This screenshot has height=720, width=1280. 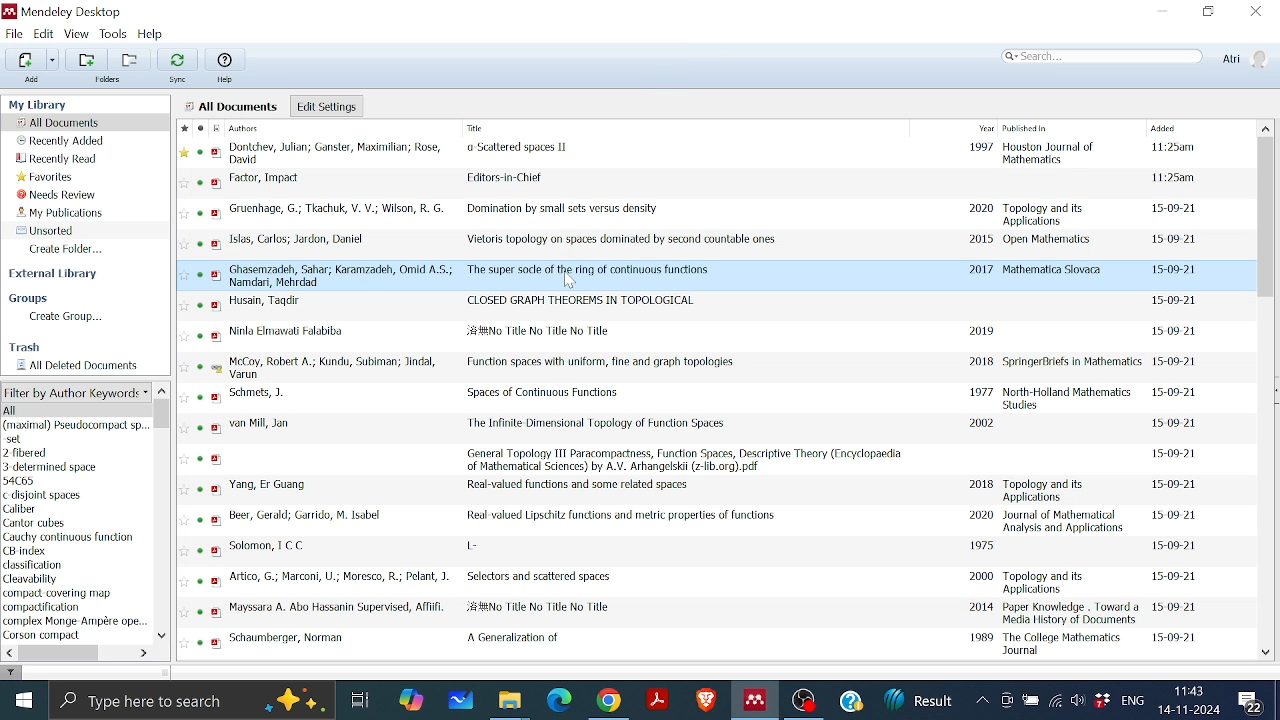 What do you see at coordinates (63, 249) in the screenshot?
I see `Create folder` at bounding box center [63, 249].